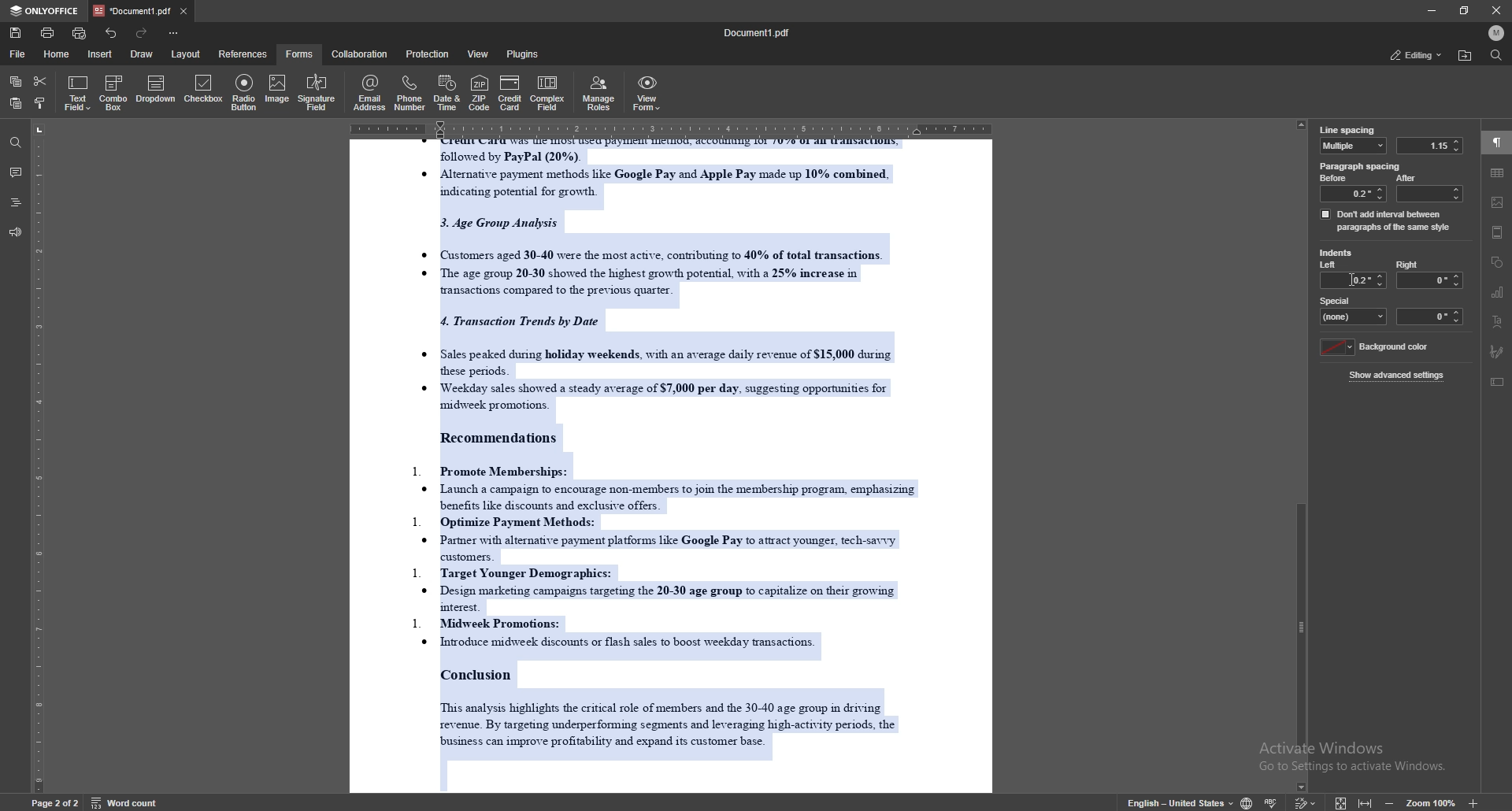 This screenshot has width=1512, height=811. What do you see at coordinates (1304, 455) in the screenshot?
I see `scroll bar` at bounding box center [1304, 455].